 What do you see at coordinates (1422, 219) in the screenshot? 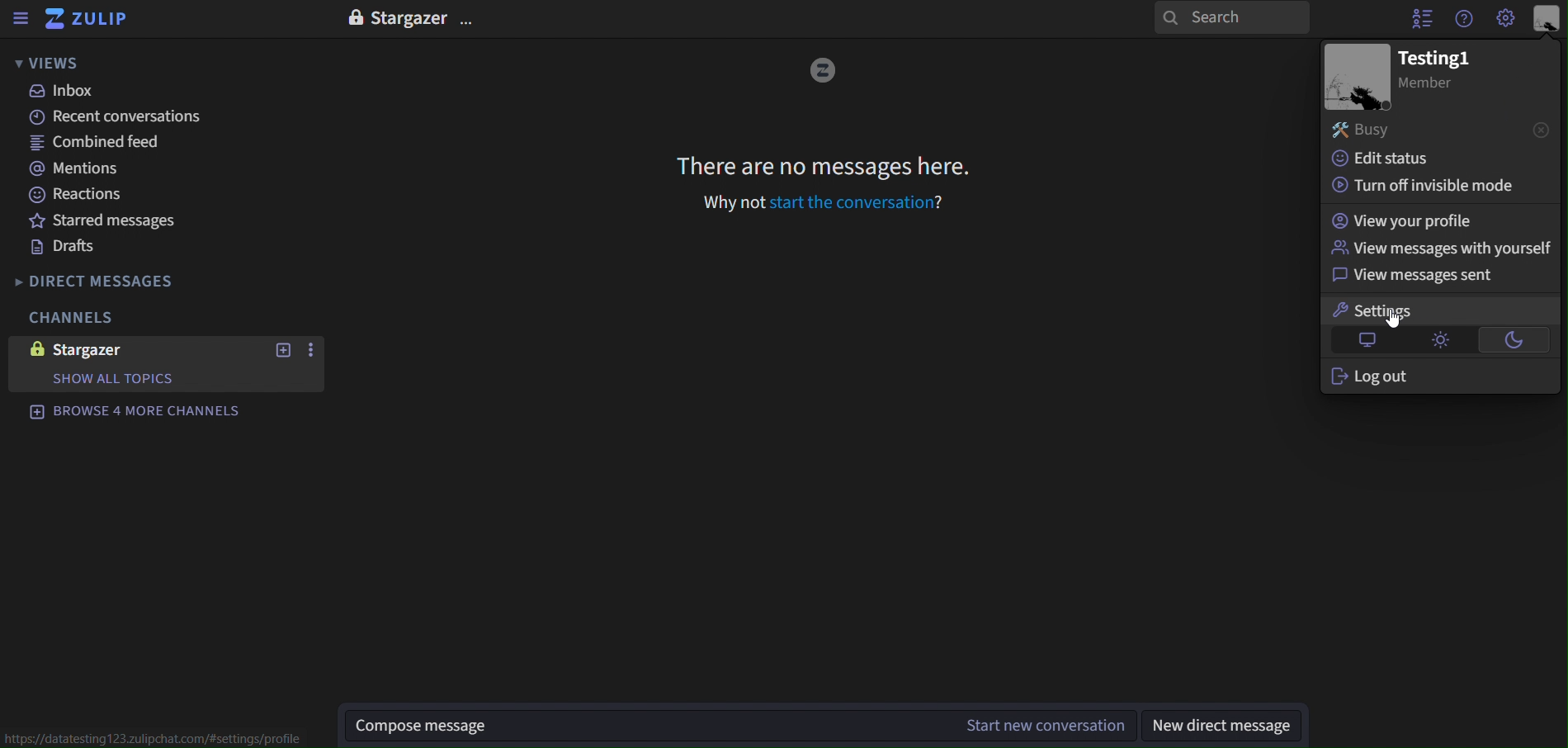
I see `view your profile` at bounding box center [1422, 219].